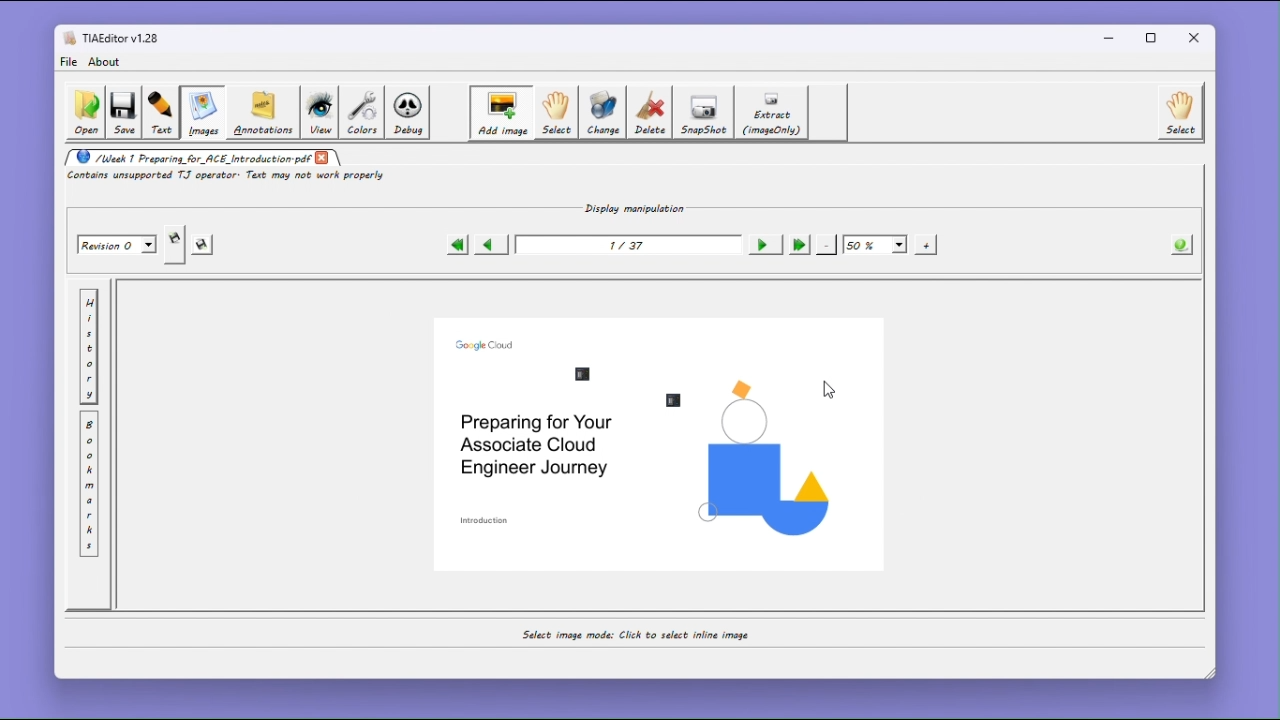 The height and width of the screenshot is (720, 1280). What do you see at coordinates (89, 485) in the screenshot?
I see `Bookmark` at bounding box center [89, 485].